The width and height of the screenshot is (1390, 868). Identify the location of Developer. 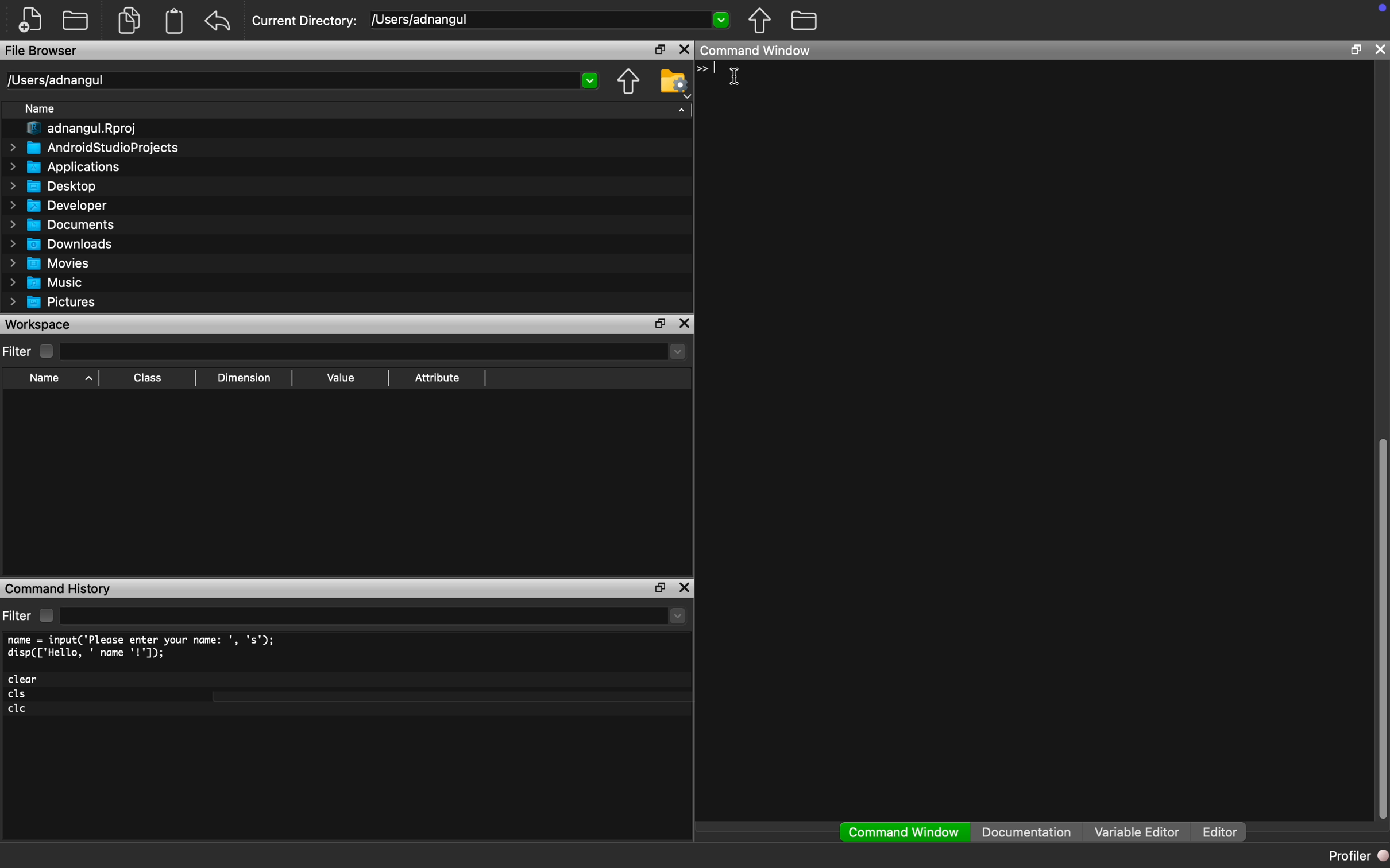
(56, 206).